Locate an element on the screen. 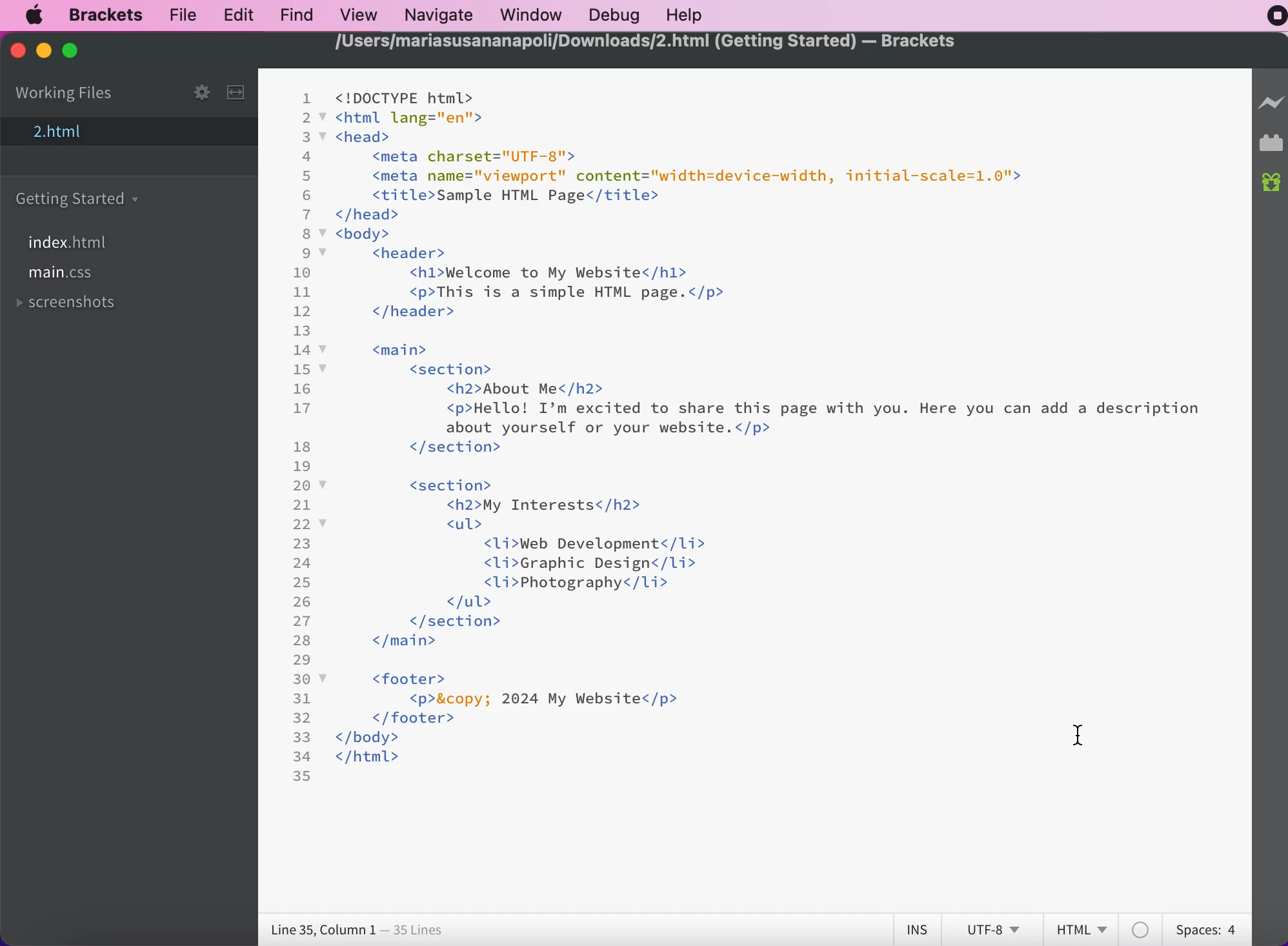 Image resolution: width=1288 pixels, height=946 pixels. code fold is located at coordinates (324, 348).